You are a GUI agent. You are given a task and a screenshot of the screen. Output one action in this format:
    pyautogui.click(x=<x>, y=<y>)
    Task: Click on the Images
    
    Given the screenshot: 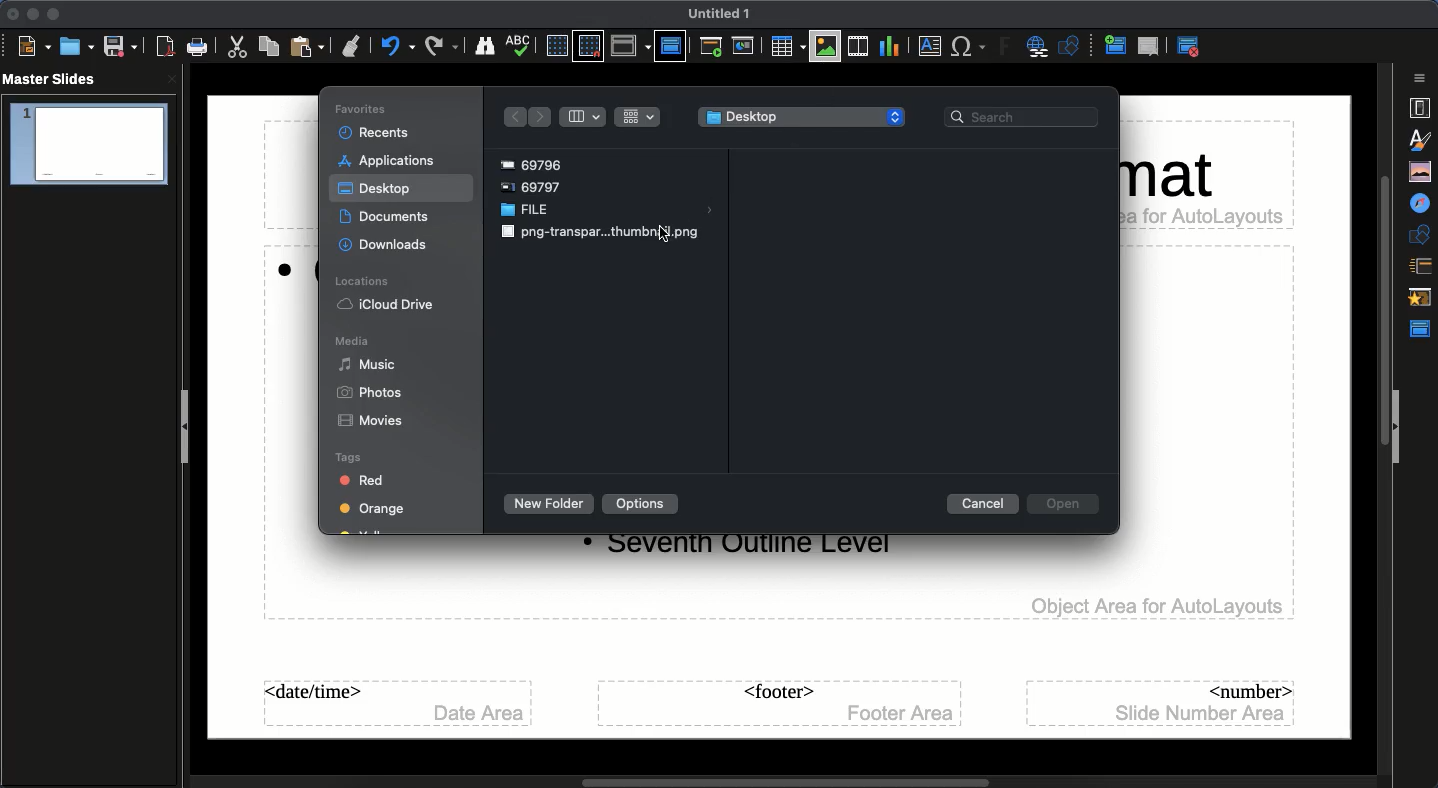 What is the action you would take?
    pyautogui.click(x=826, y=46)
    